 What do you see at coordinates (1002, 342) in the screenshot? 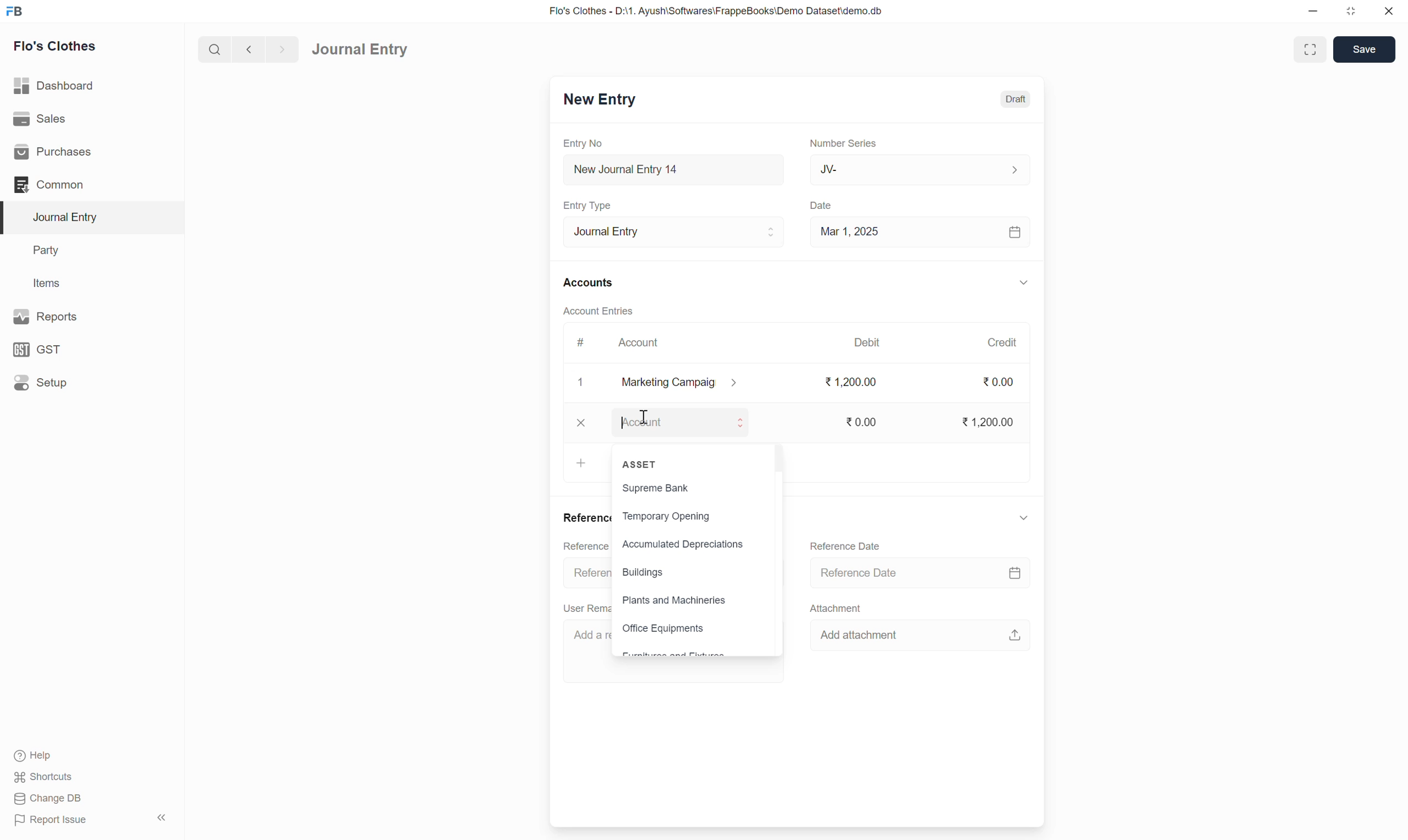
I see `Credit` at bounding box center [1002, 342].